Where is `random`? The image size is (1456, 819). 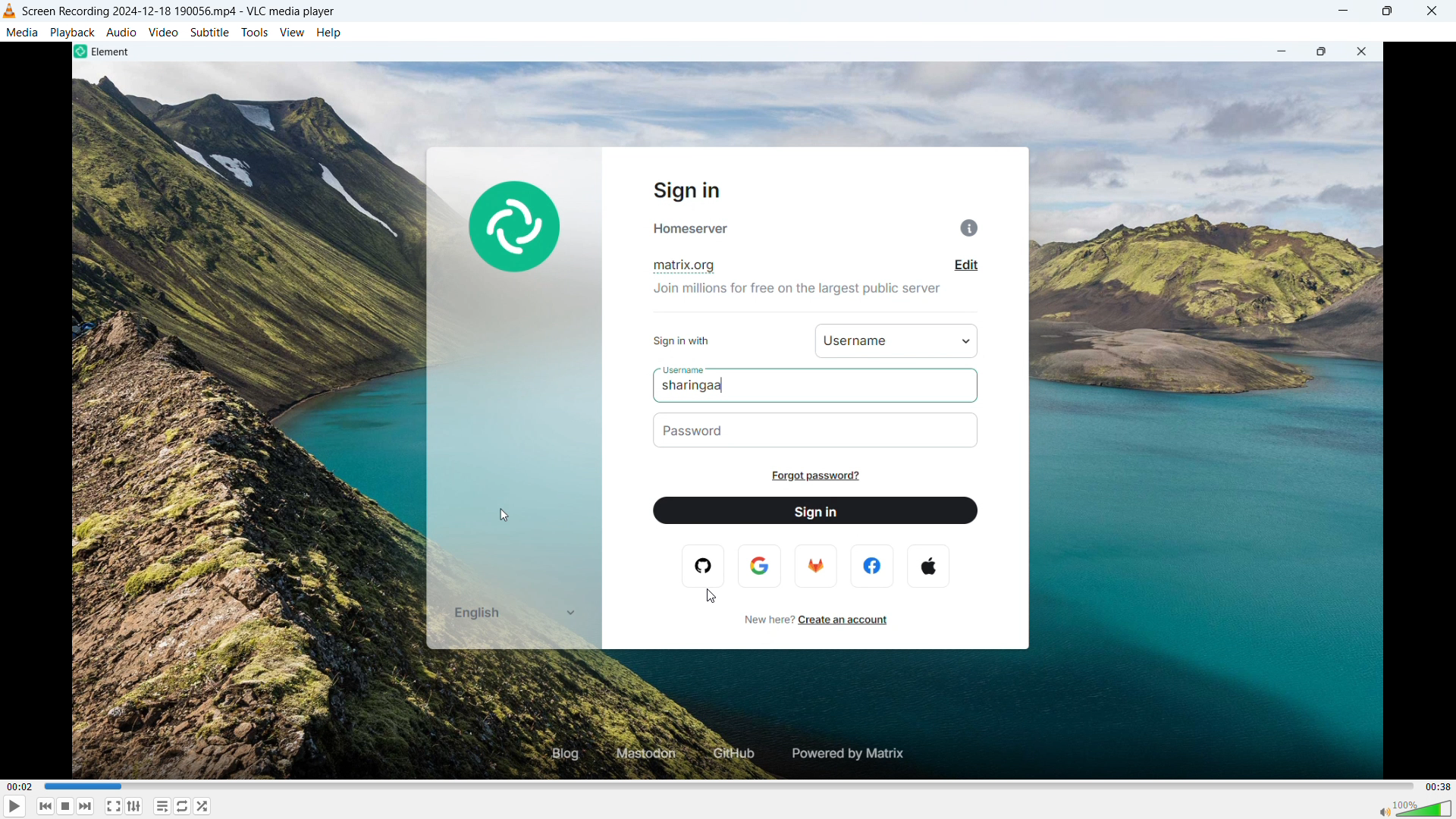
random is located at coordinates (202, 806).